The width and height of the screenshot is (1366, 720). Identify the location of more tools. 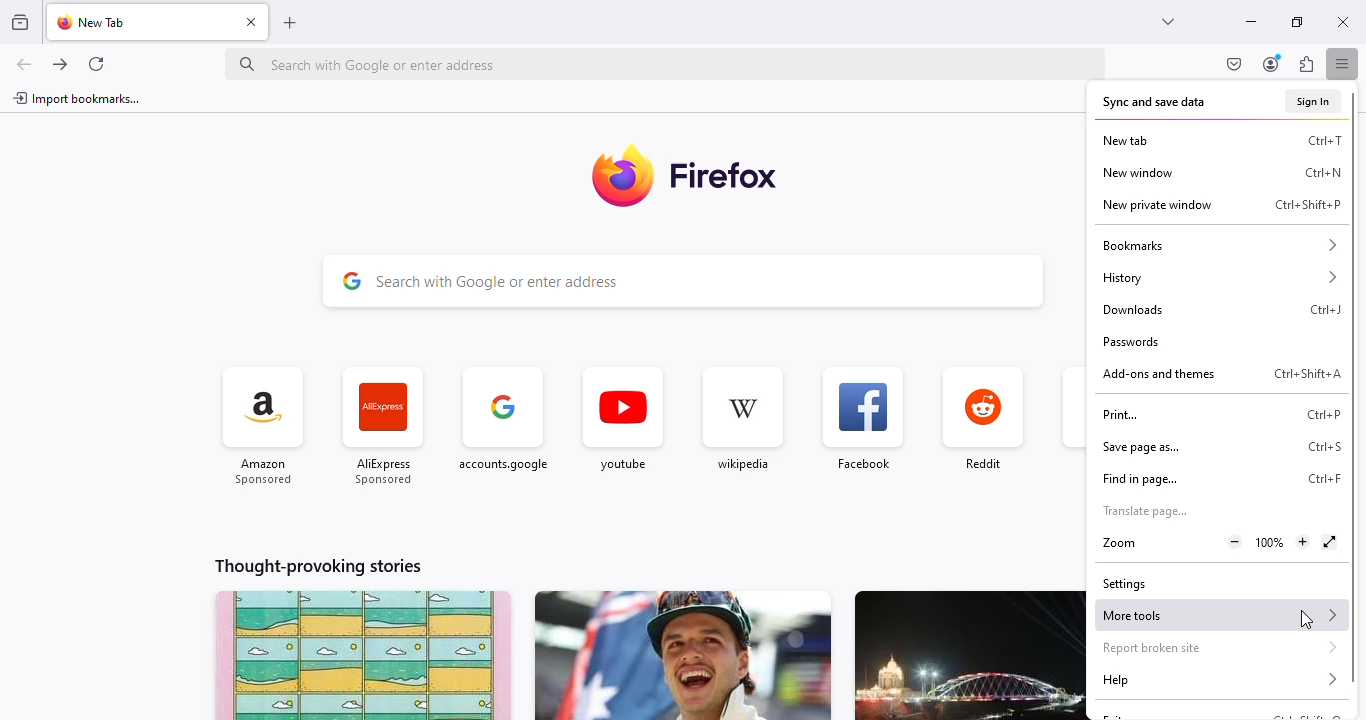
(1219, 614).